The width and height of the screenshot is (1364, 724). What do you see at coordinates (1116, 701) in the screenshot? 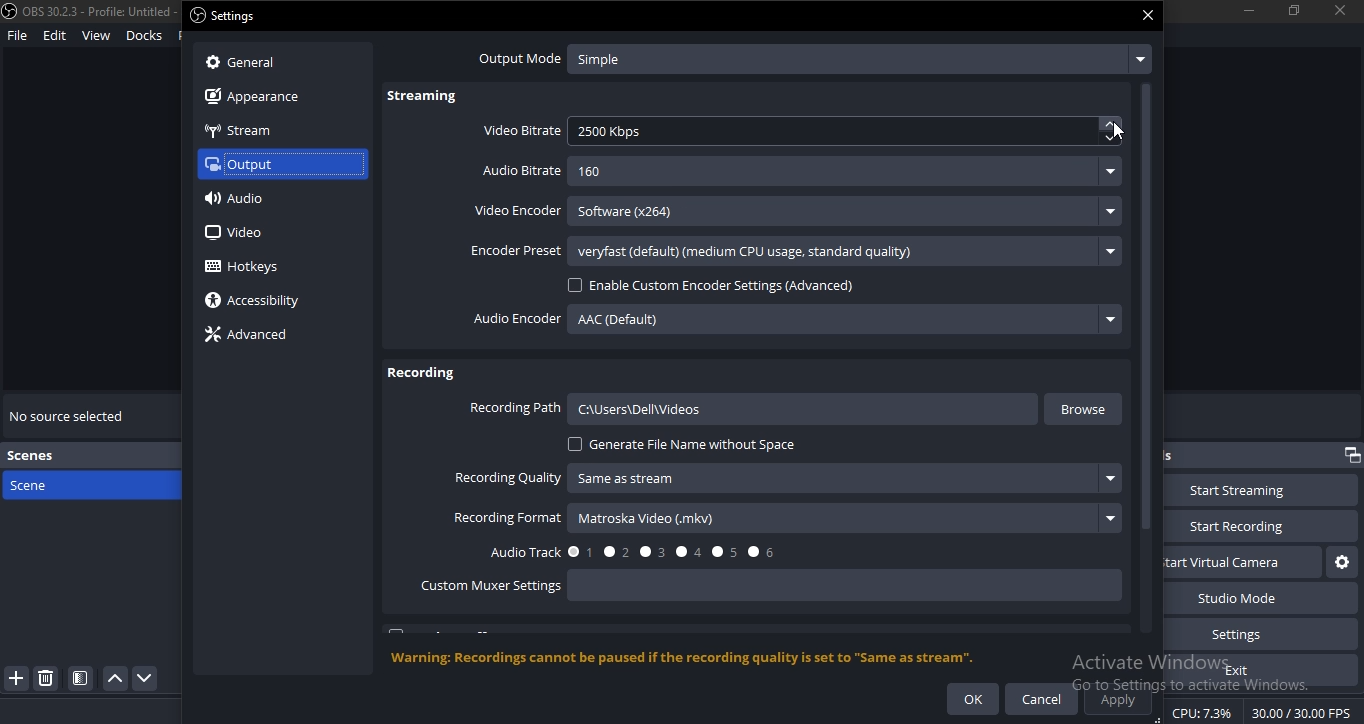
I see `apply ` at bounding box center [1116, 701].